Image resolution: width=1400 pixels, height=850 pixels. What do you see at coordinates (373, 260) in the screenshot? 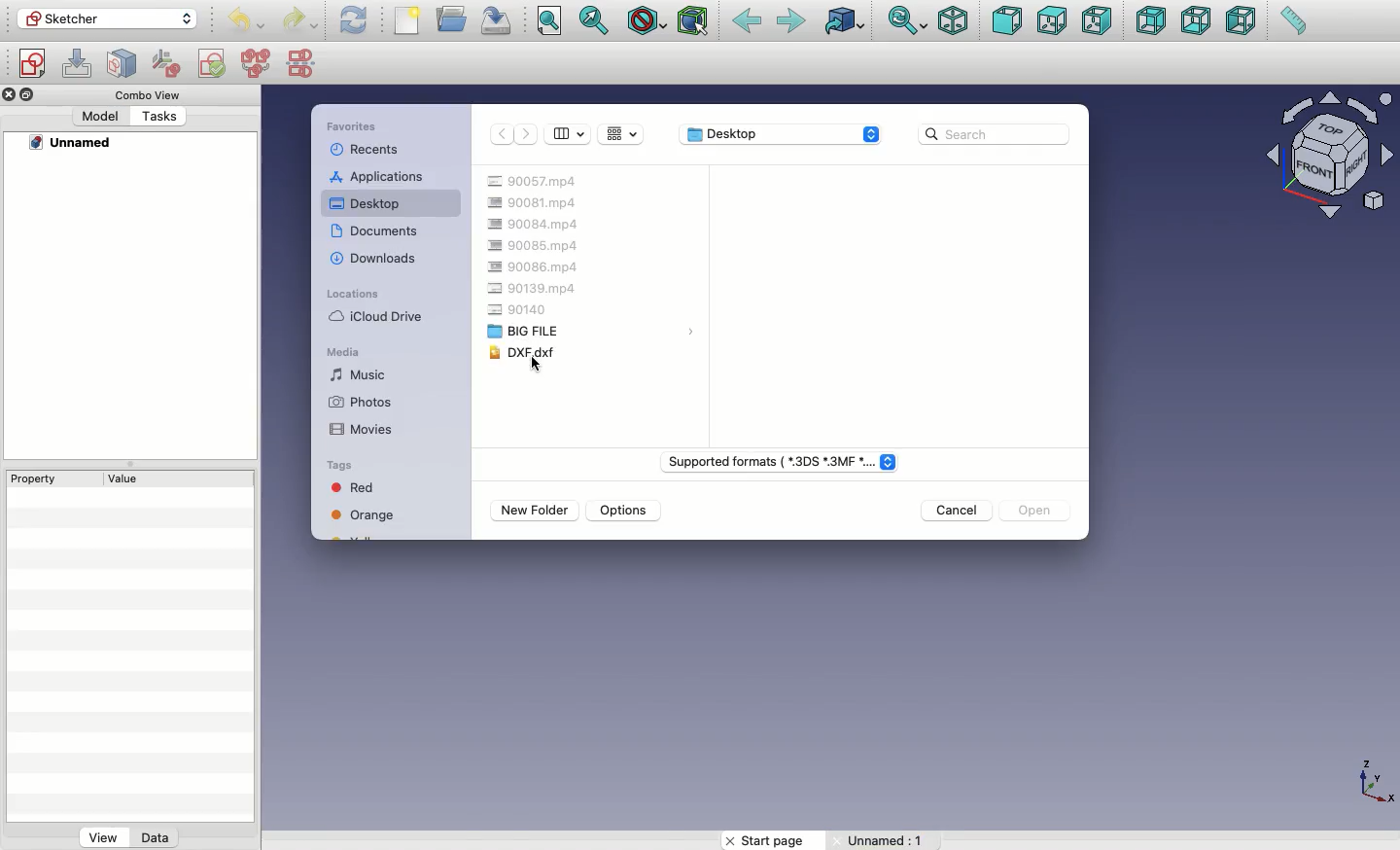
I see `Downloads` at bounding box center [373, 260].